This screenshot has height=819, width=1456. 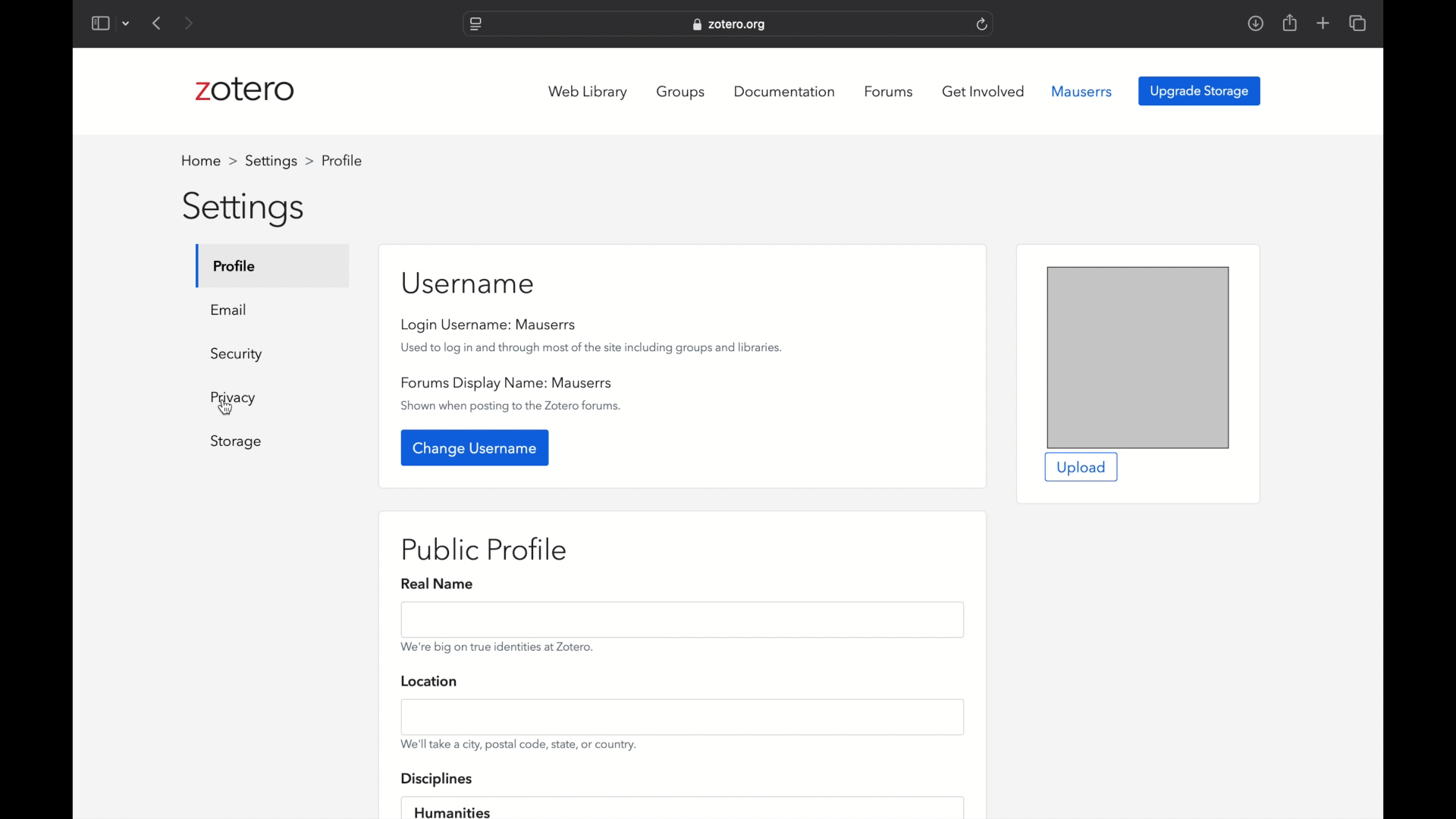 I want to click on groups, so click(x=684, y=93).